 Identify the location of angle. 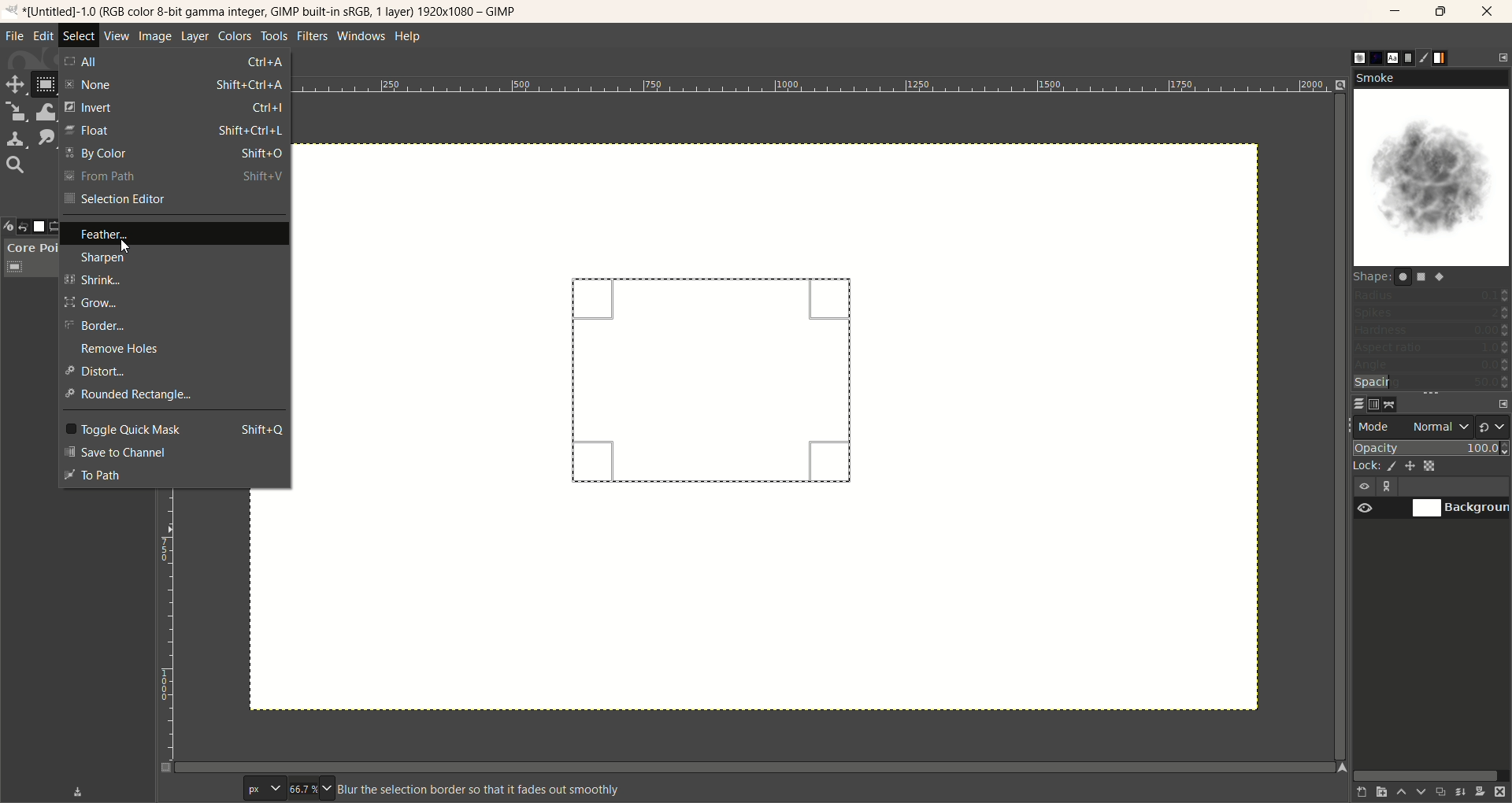
(1432, 367).